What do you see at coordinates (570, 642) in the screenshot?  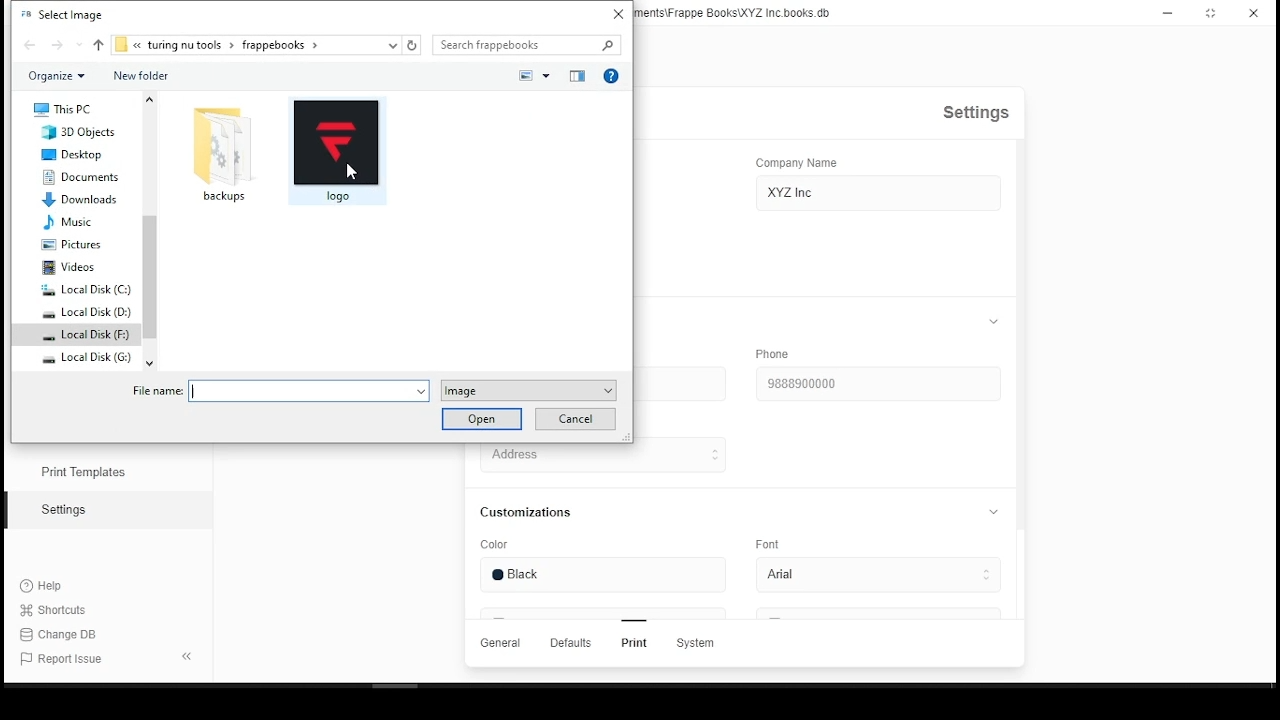 I see `Defaults` at bounding box center [570, 642].